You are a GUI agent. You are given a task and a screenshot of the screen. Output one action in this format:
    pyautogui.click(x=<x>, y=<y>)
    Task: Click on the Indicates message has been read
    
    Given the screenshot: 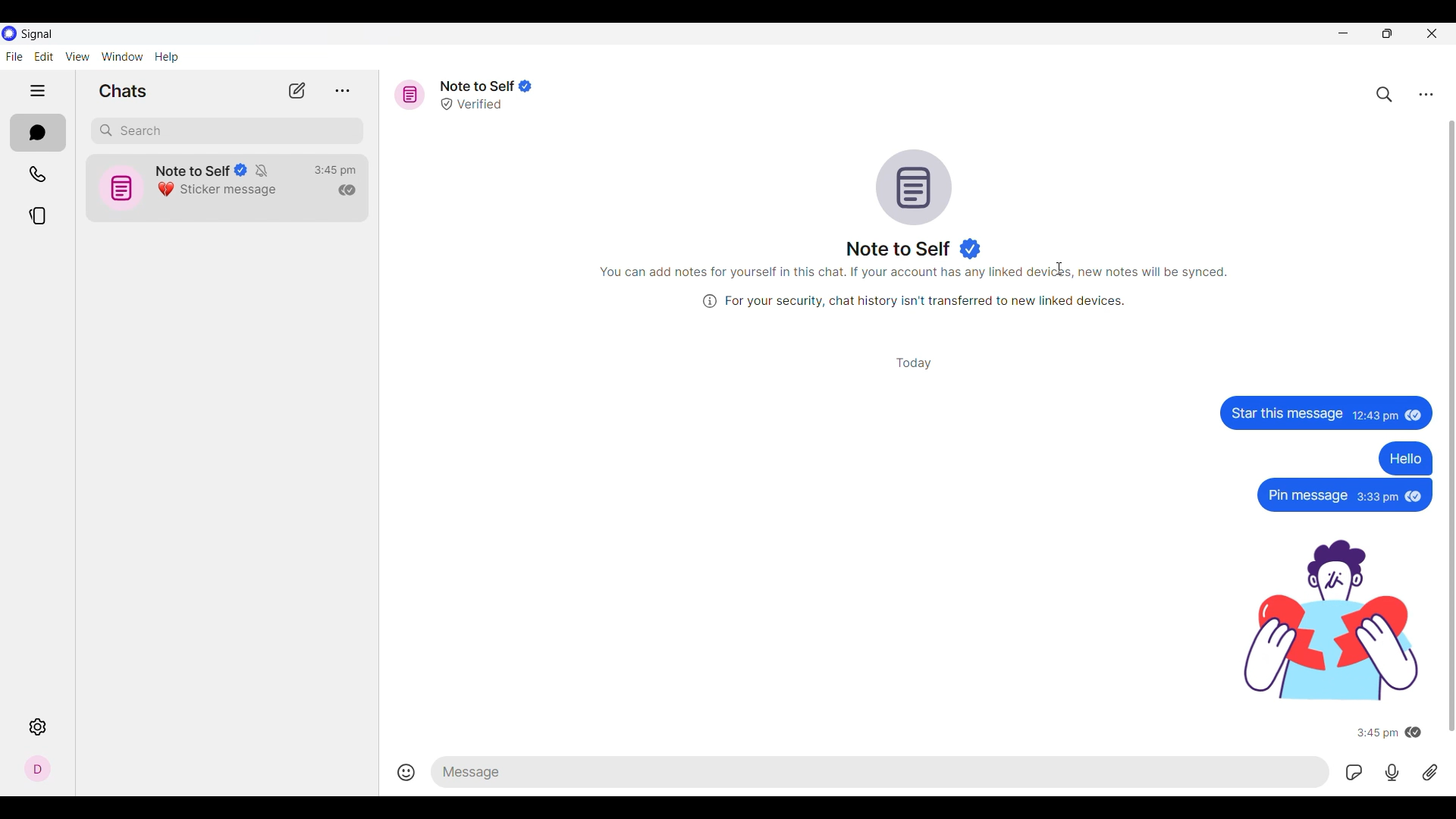 What is the action you would take?
    pyautogui.click(x=347, y=190)
    